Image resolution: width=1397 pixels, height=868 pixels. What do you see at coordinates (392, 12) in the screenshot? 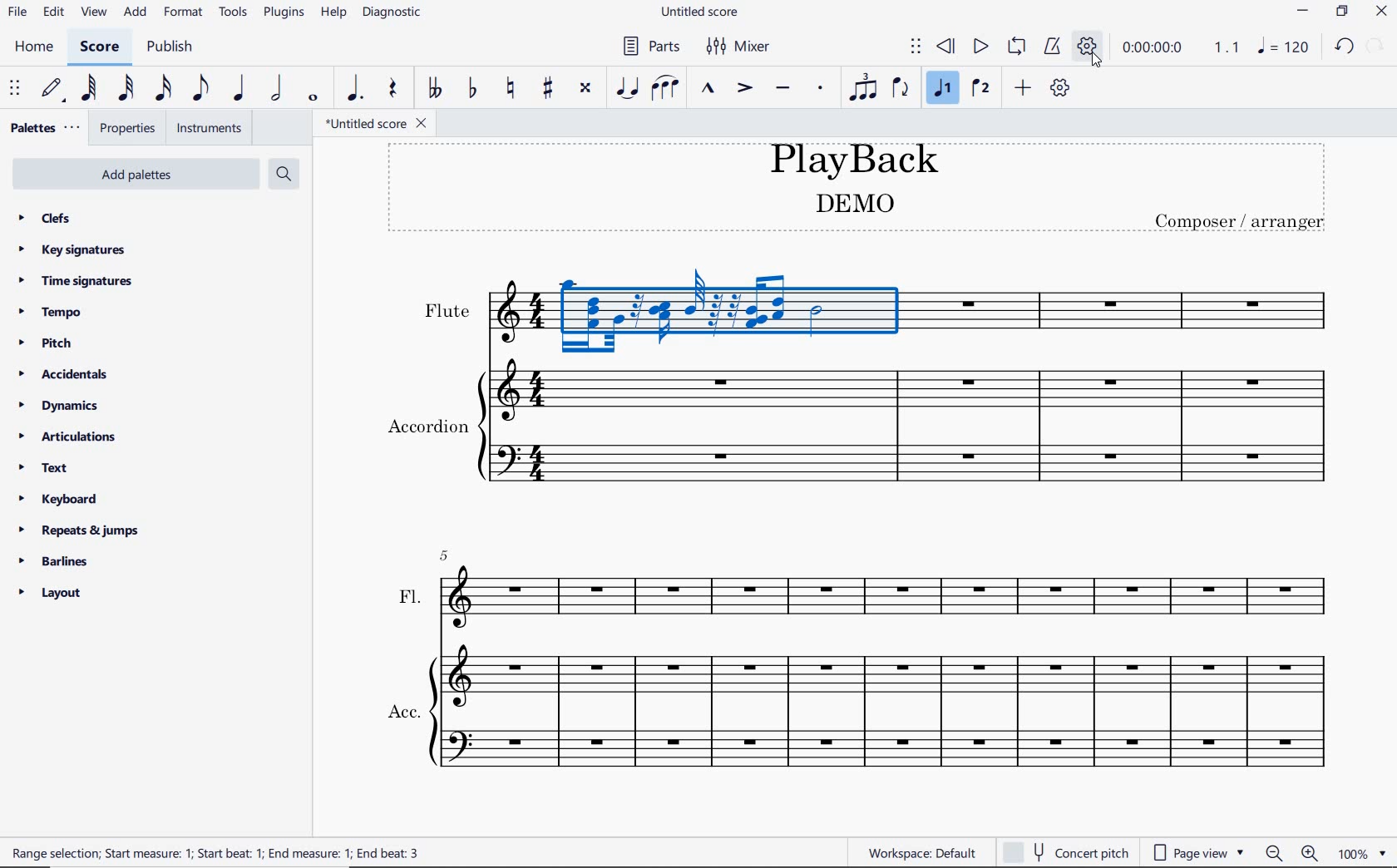
I see `diagnostic` at bounding box center [392, 12].